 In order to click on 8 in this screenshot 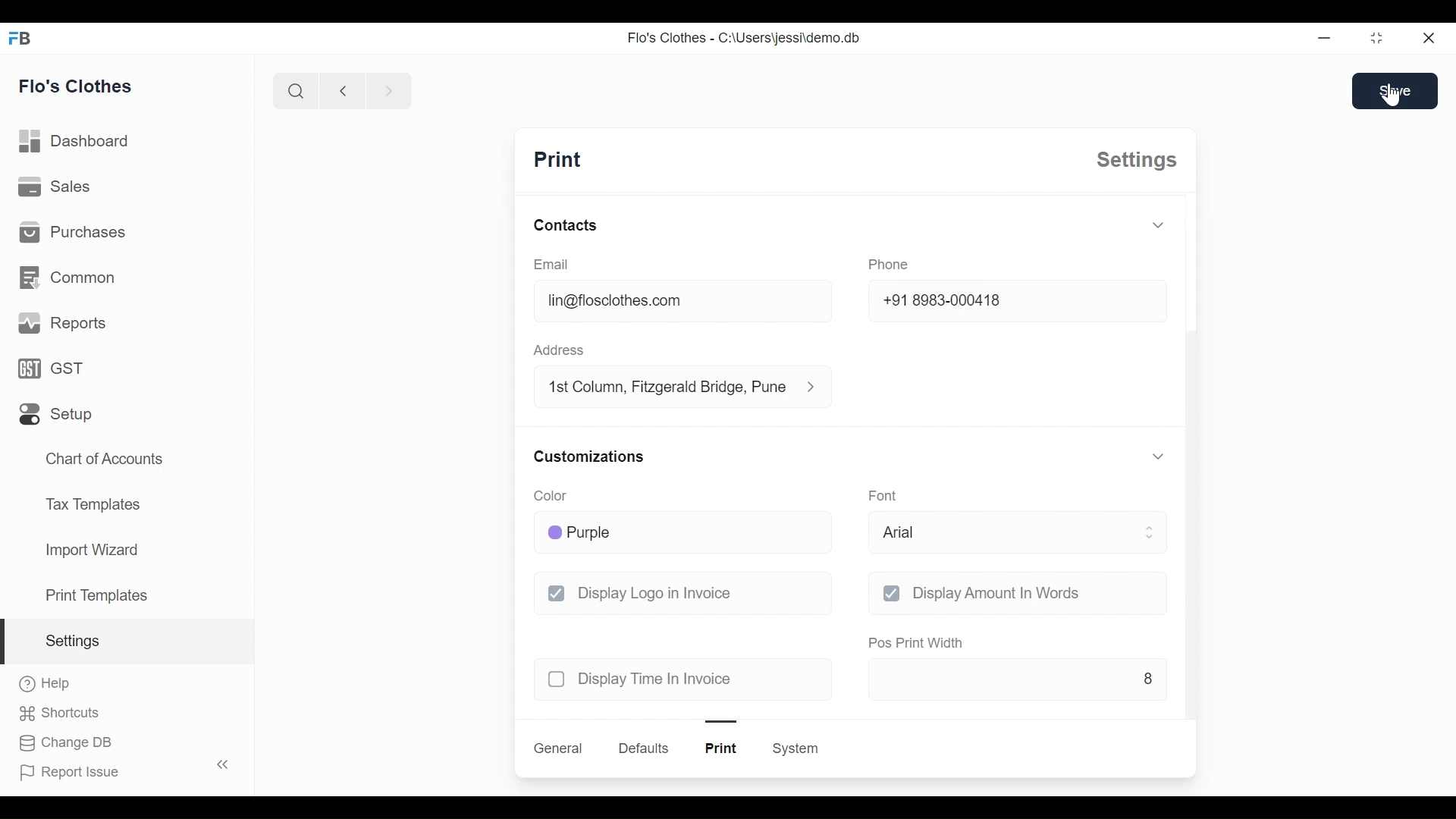, I will do `click(1018, 678)`.